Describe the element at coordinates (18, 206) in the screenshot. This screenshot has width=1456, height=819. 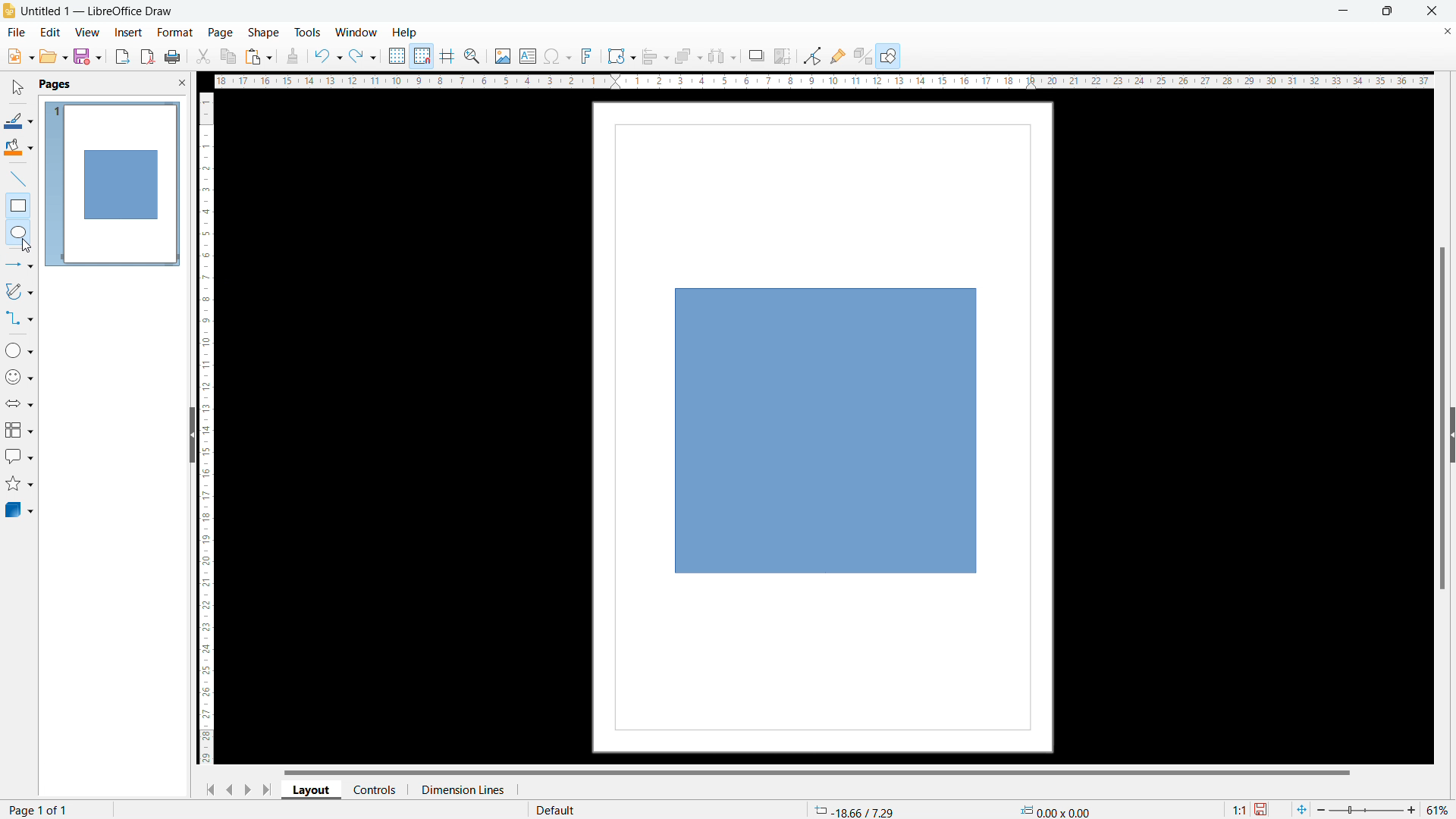
I see `rectangle` at that location.